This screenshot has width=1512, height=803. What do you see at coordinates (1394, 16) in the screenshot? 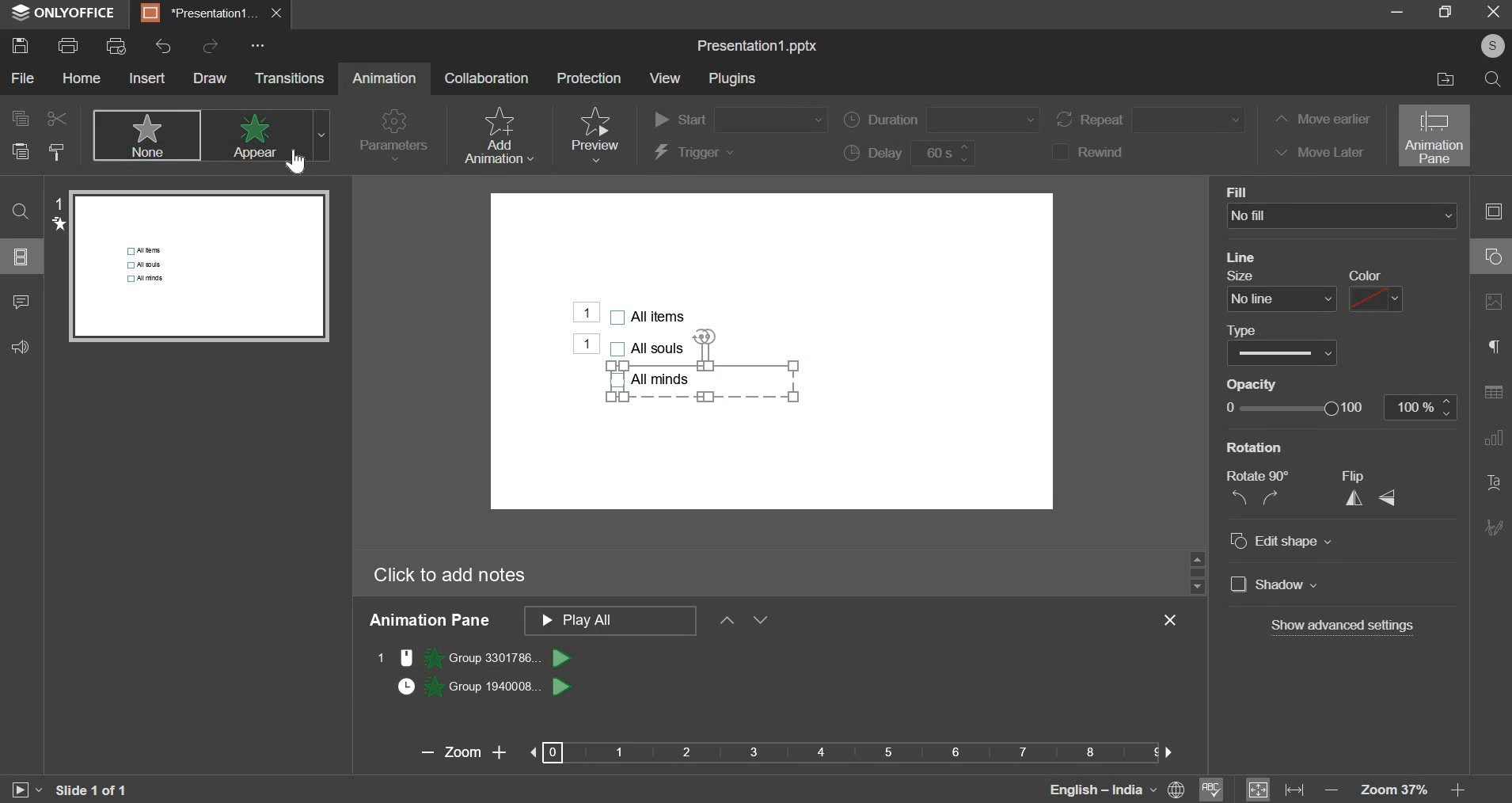
I see `minimize` at bounding box center [1394, 16].